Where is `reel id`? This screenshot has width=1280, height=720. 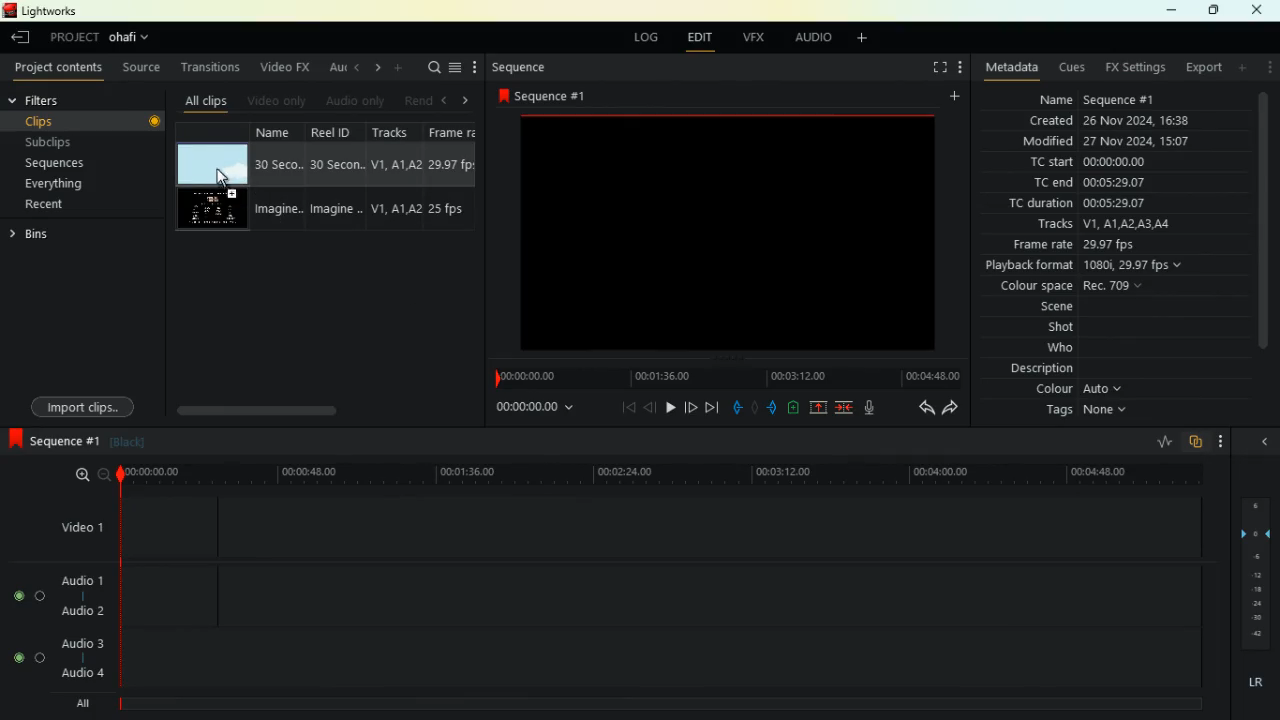 reel id is located at coordinates (338, 133).